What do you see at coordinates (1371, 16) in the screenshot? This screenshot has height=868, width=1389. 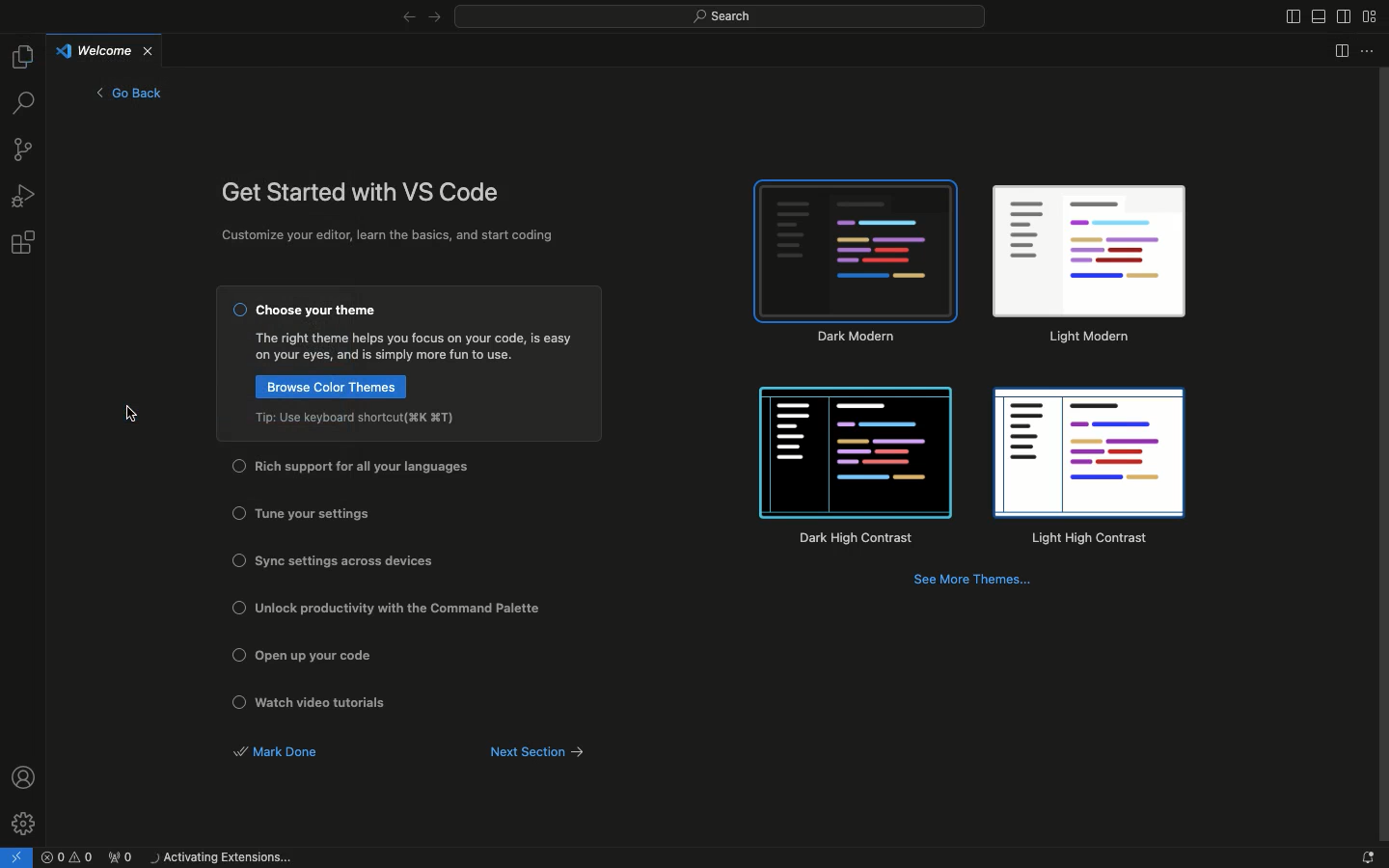 I see `customize layout` at bounding box center [1371, 16].